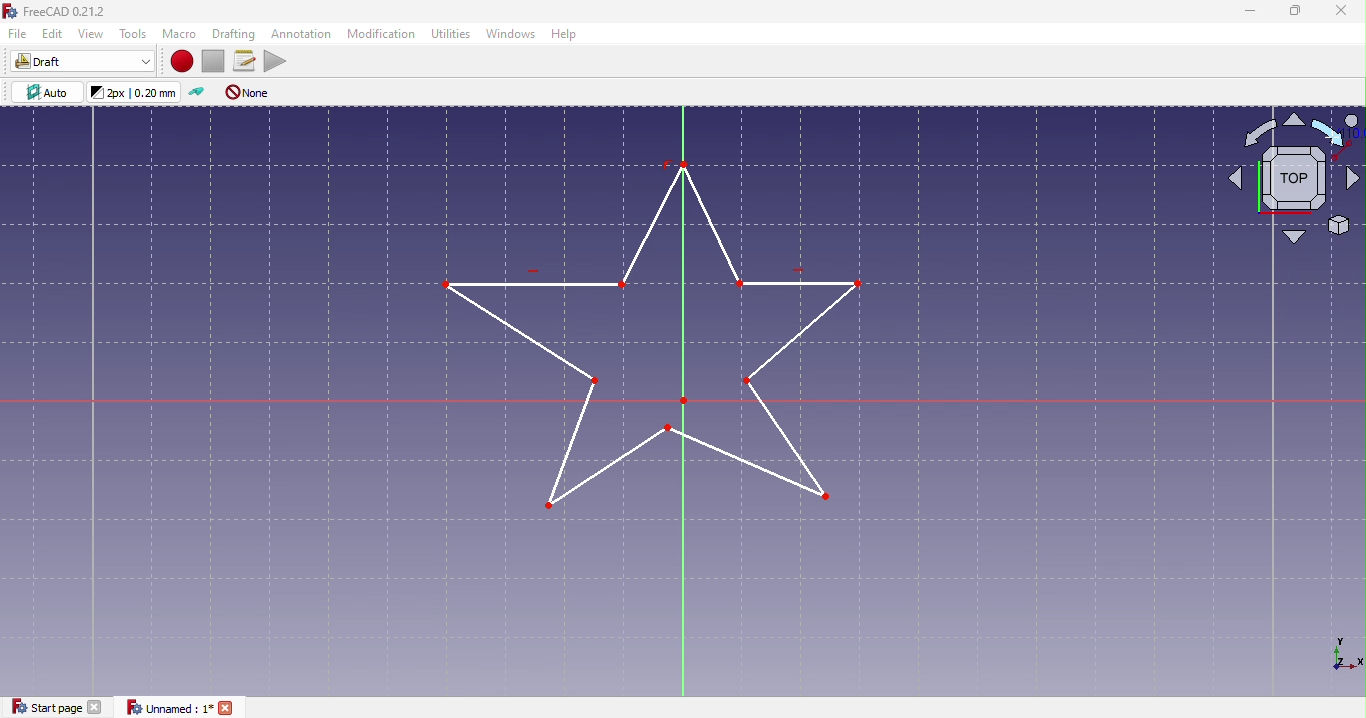 The width and height of the screenshot is (1366, 718). What do you see at coordinates (136, 92) in the screenshot?
I see `Change default style for current object` at bounding box center [136, 92].